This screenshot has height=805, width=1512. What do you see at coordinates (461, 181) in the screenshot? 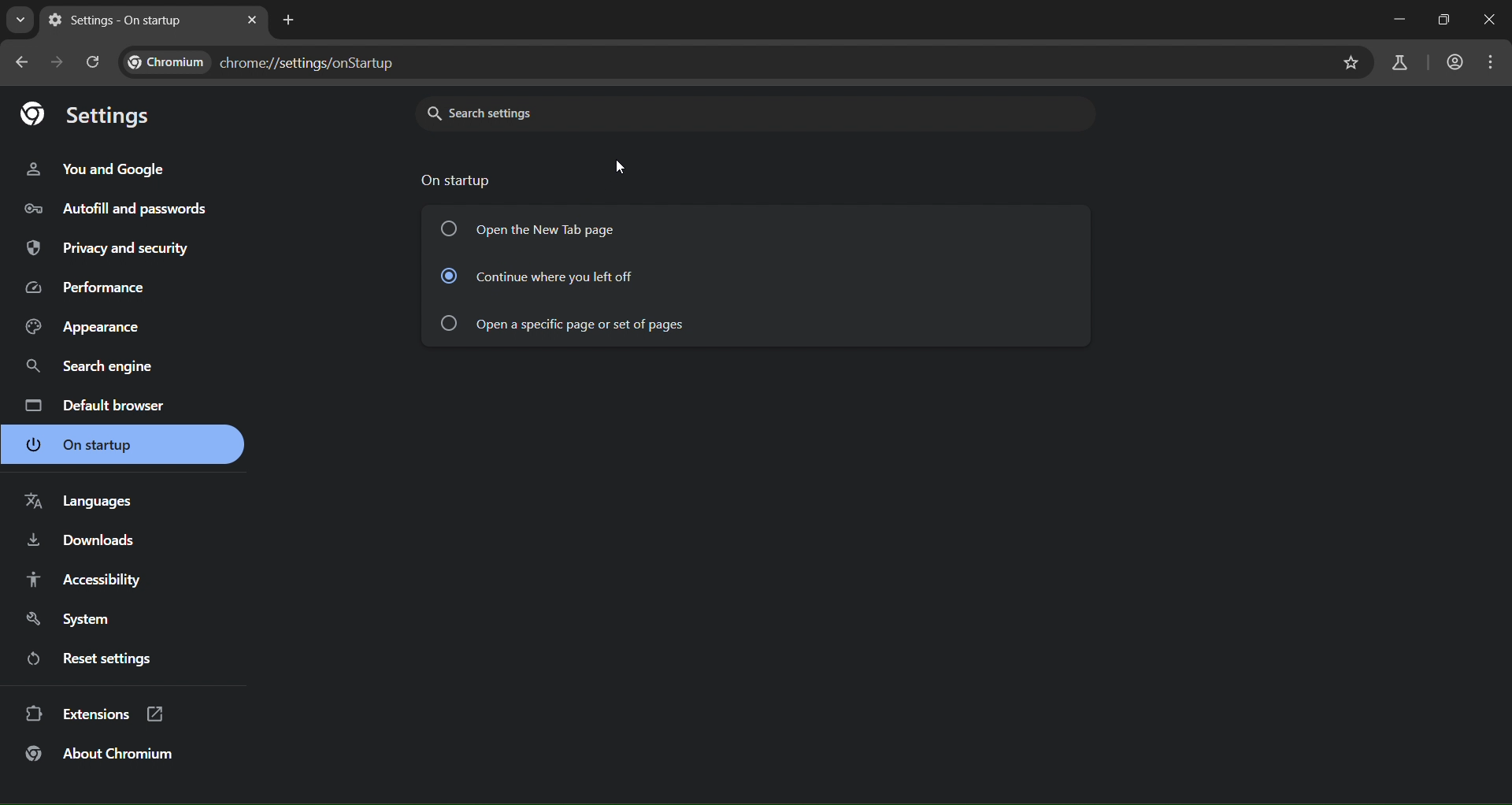
I see `on startup` at bounding box center [461, 181].